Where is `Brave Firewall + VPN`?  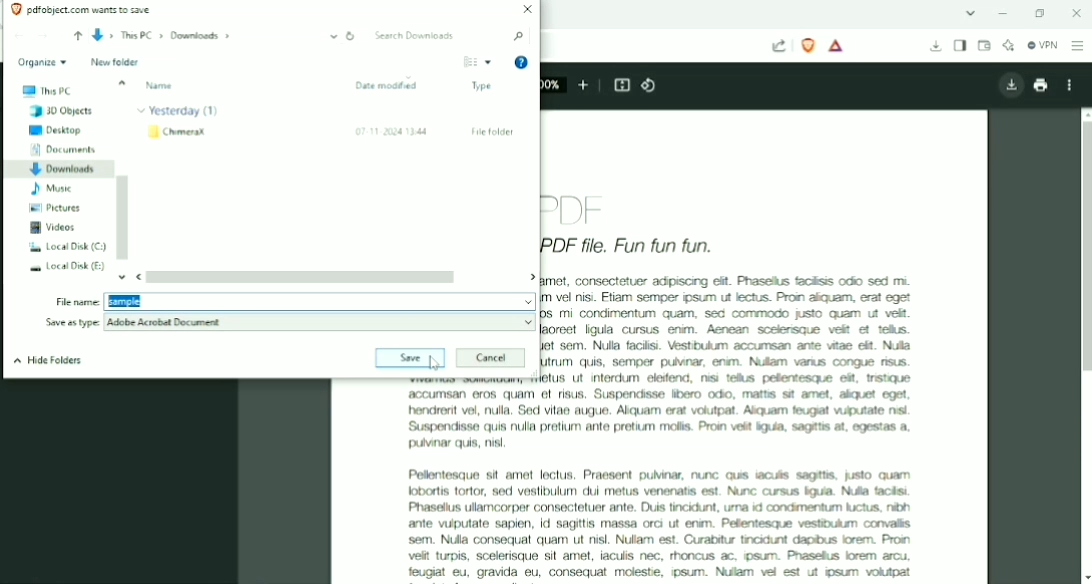
Brave Firewall + VPN is located at coordinates (1042, 45).